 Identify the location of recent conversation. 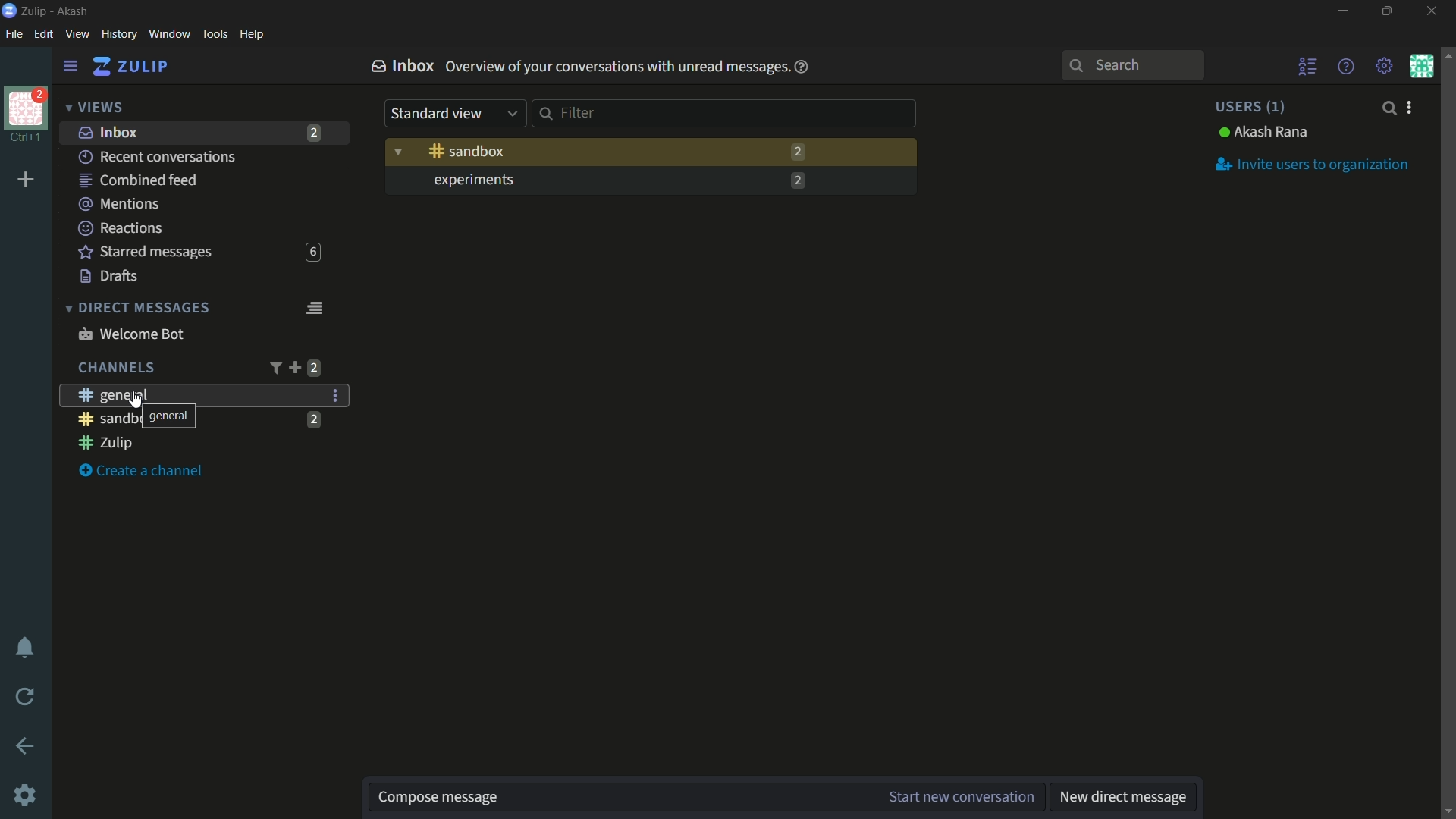
(158, 157).